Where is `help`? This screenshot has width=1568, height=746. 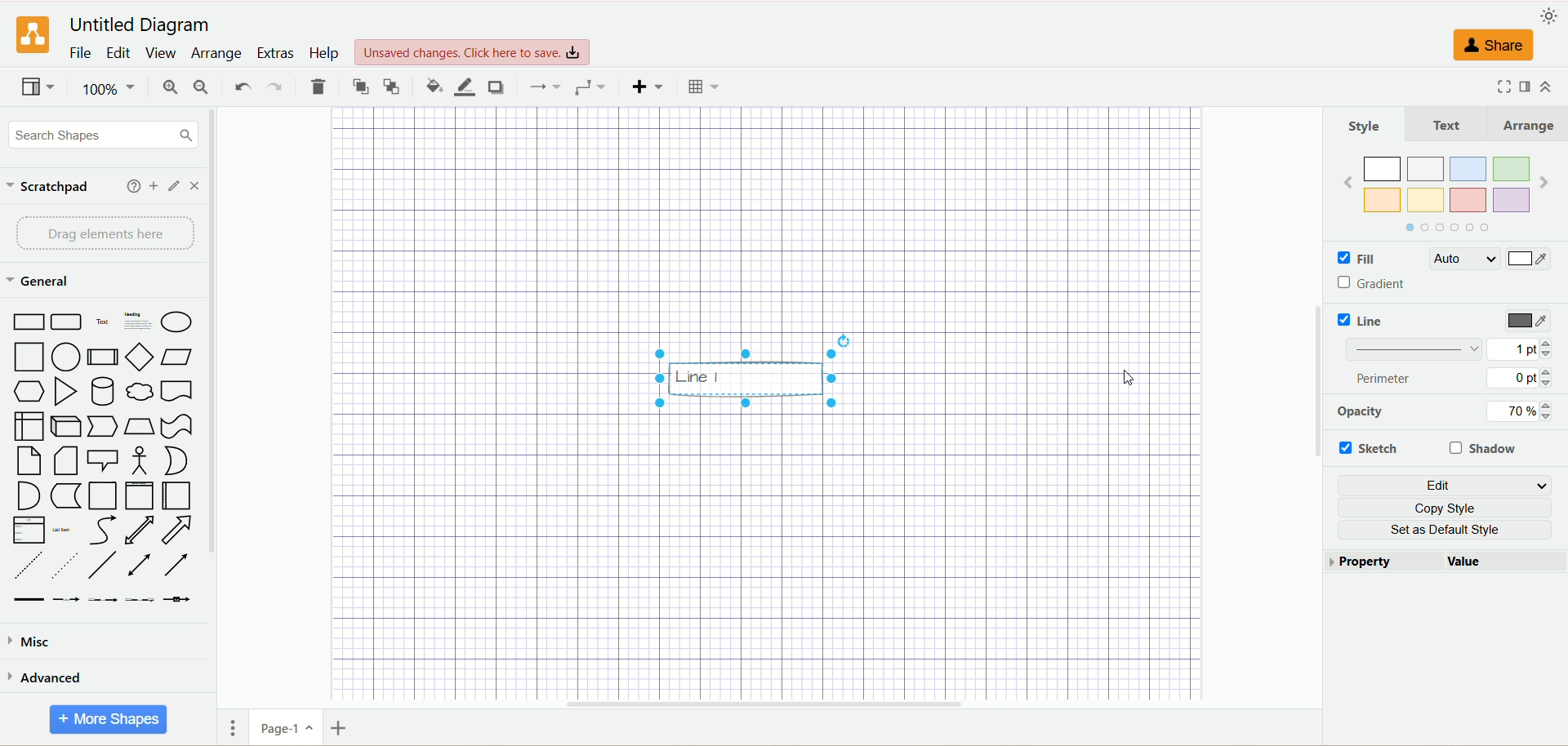
help is located at coordinates (327, 55).